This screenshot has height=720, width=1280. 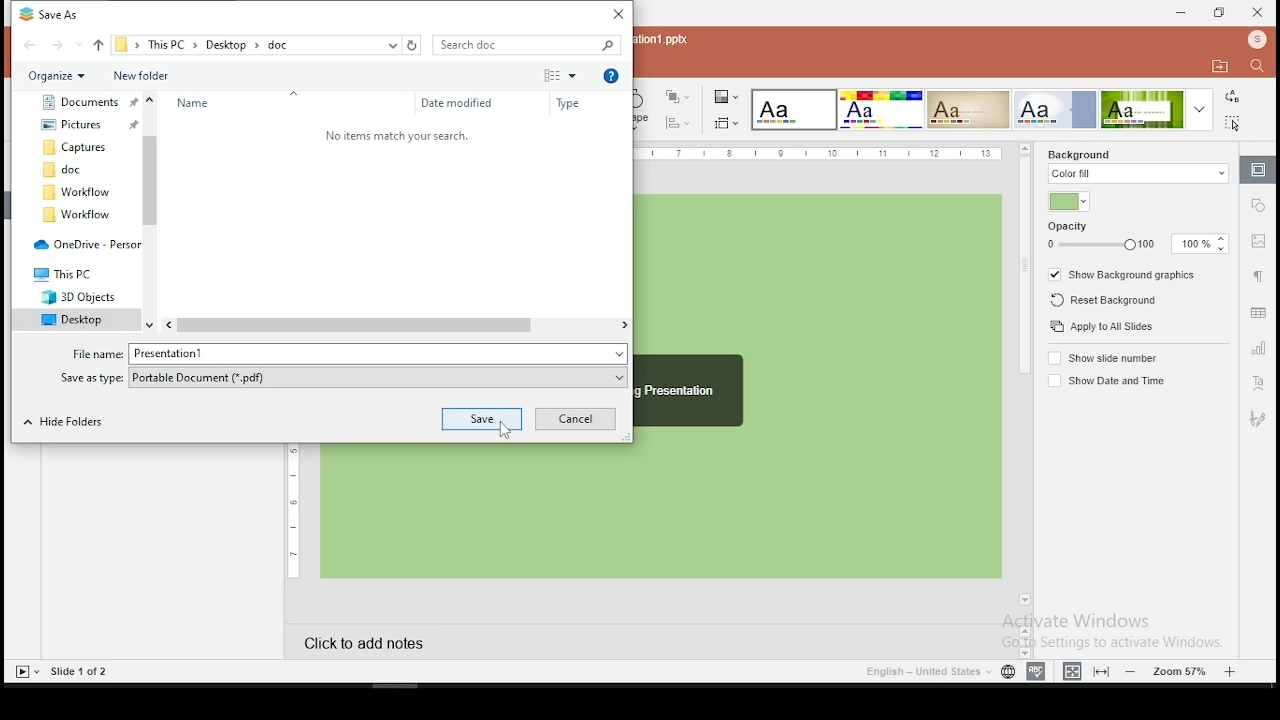 What do you see at coordinates (98, 45) in the screenshot?
I see `go up one folder` at bounding box center [98, 45].